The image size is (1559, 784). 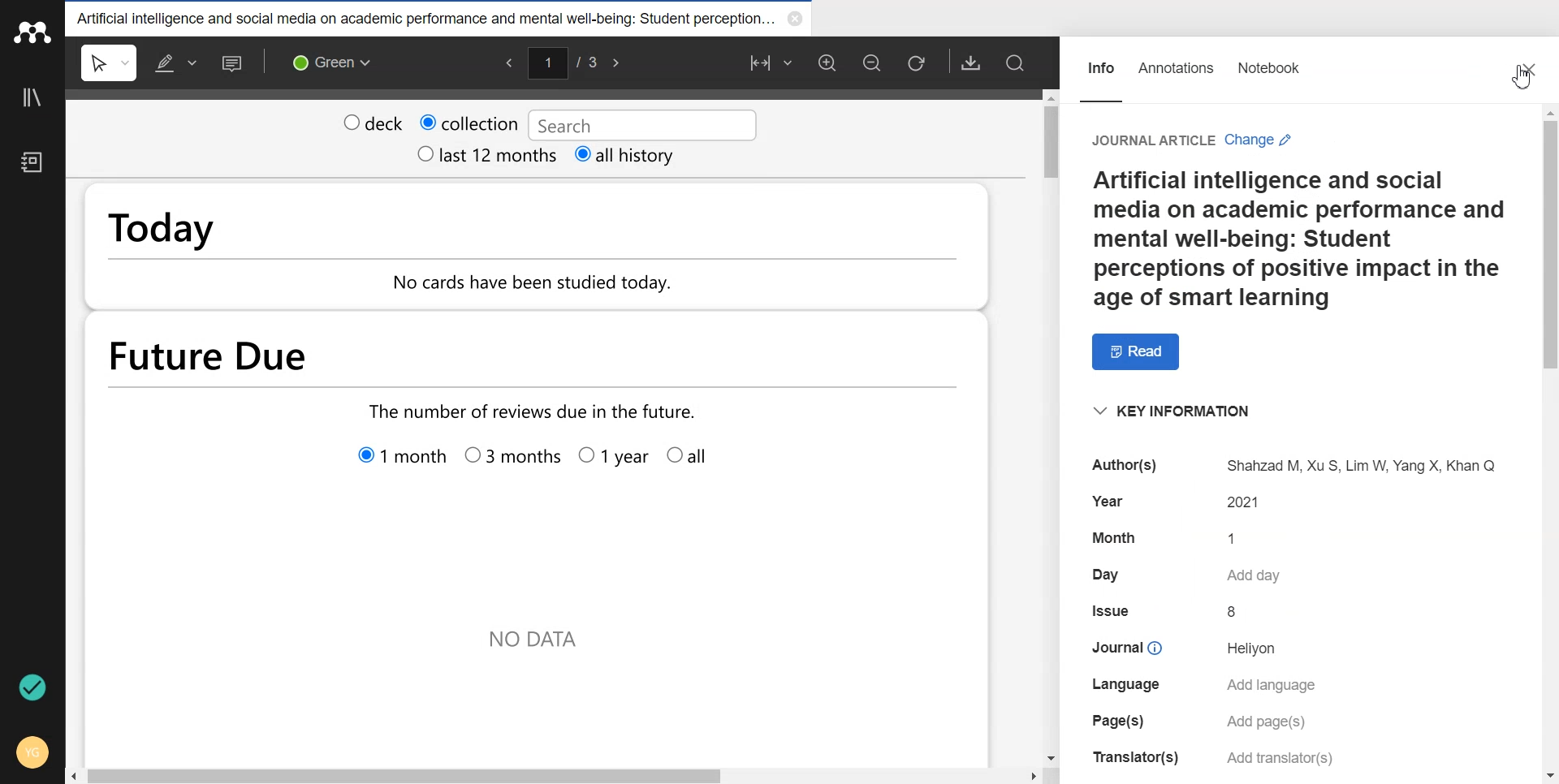 I want to click on 1 month, so click(x=405, y=456).